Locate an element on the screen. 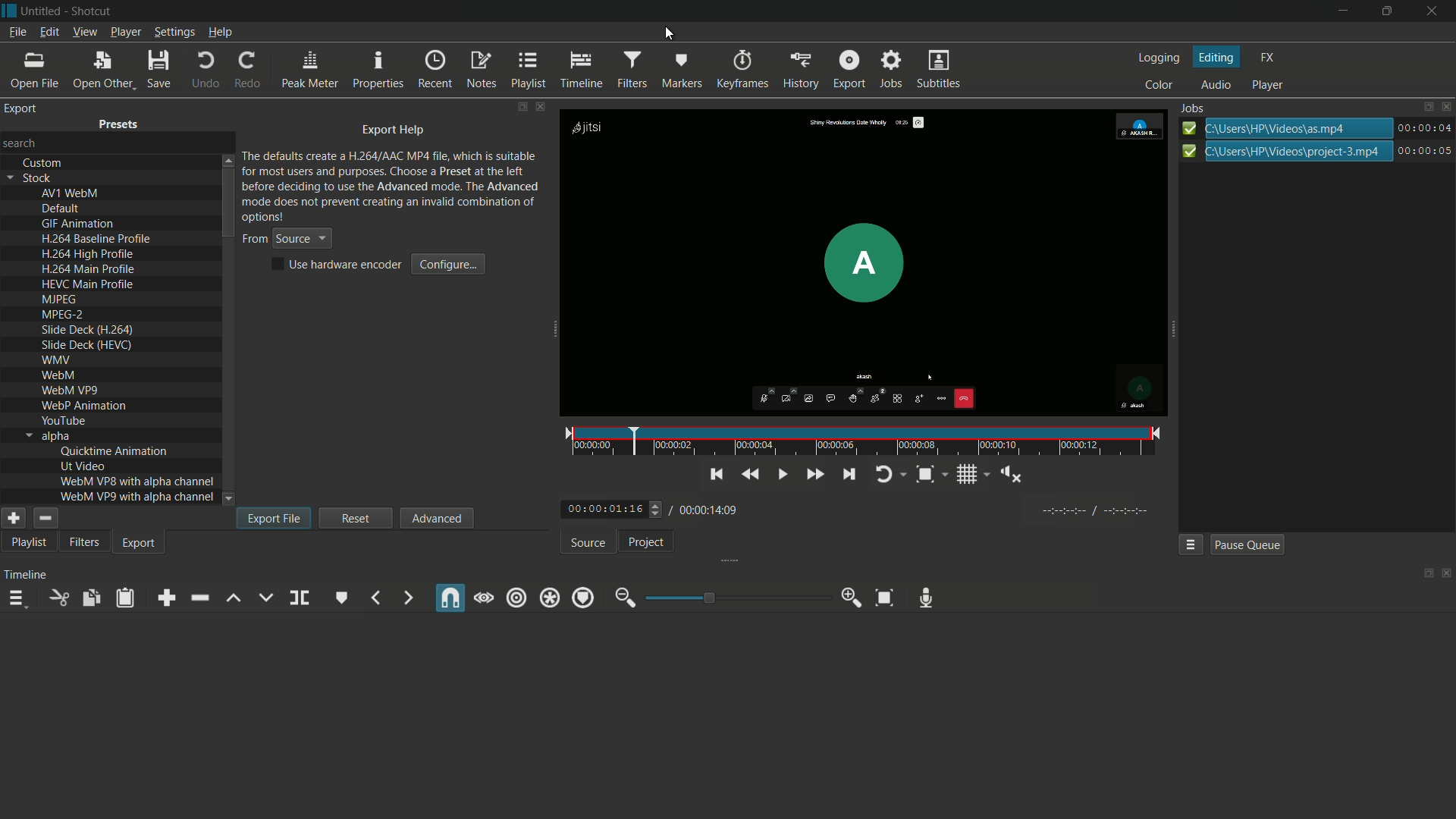 The height and width of the screenshot is (819, 1456). change layout is located at coordinates (1423, 577).